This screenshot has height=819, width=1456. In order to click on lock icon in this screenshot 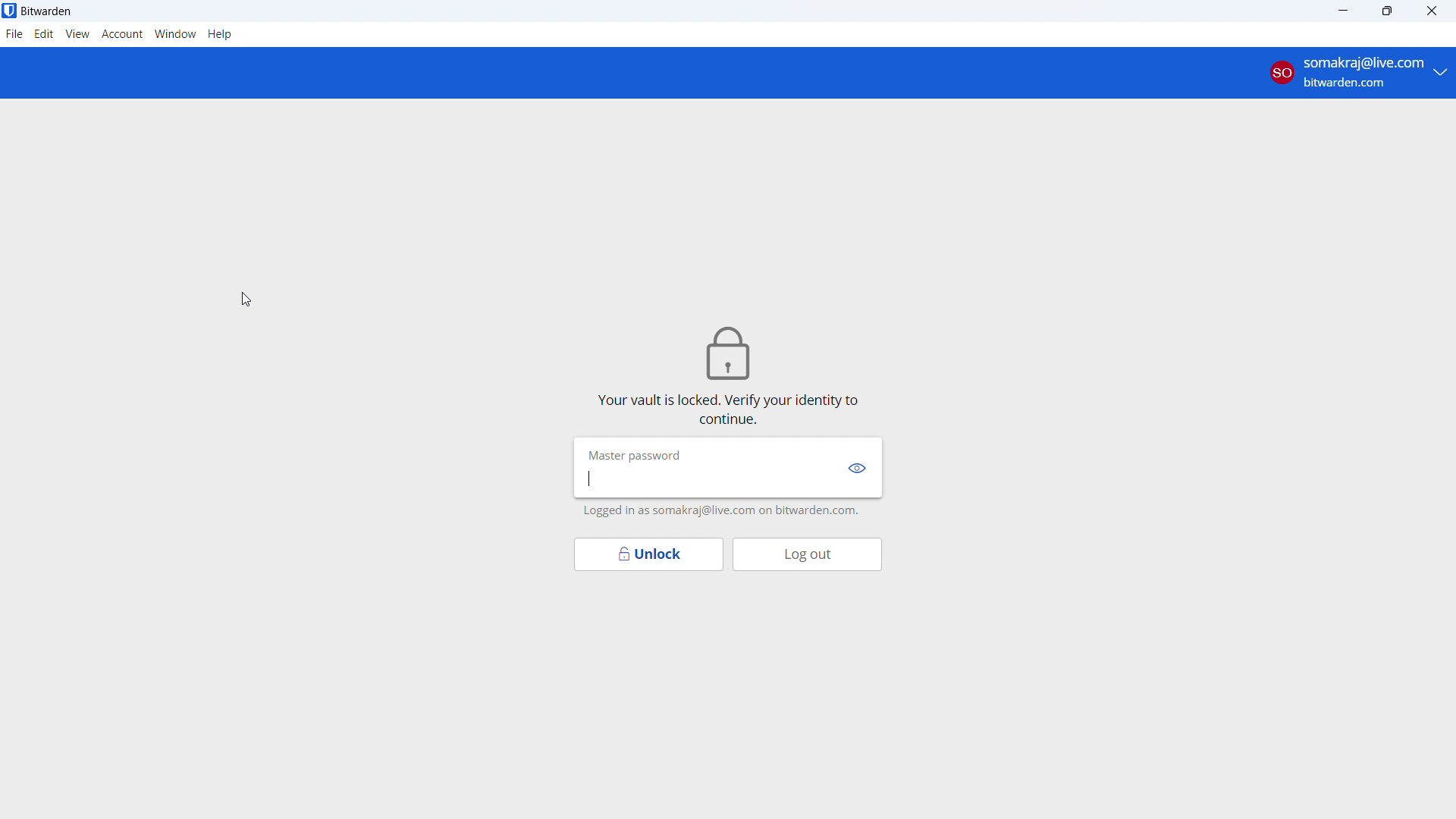, I will do `click(734, 352)`.